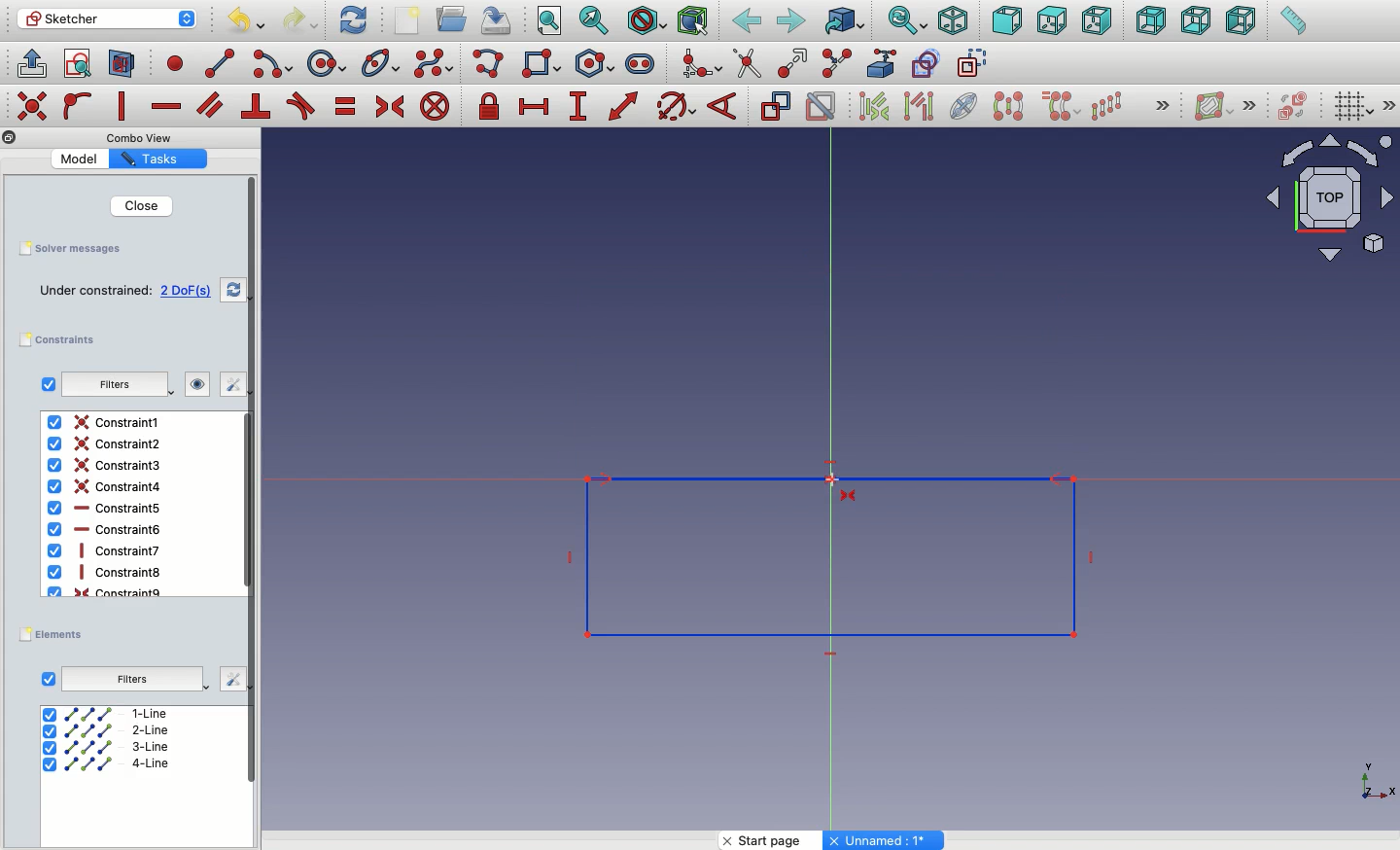 The width and height of the screenshot is (1400, 850). What do you see at coordinates (492, 65) in the screenshot?
I see `Polyline` at bounding box center [492, 65].